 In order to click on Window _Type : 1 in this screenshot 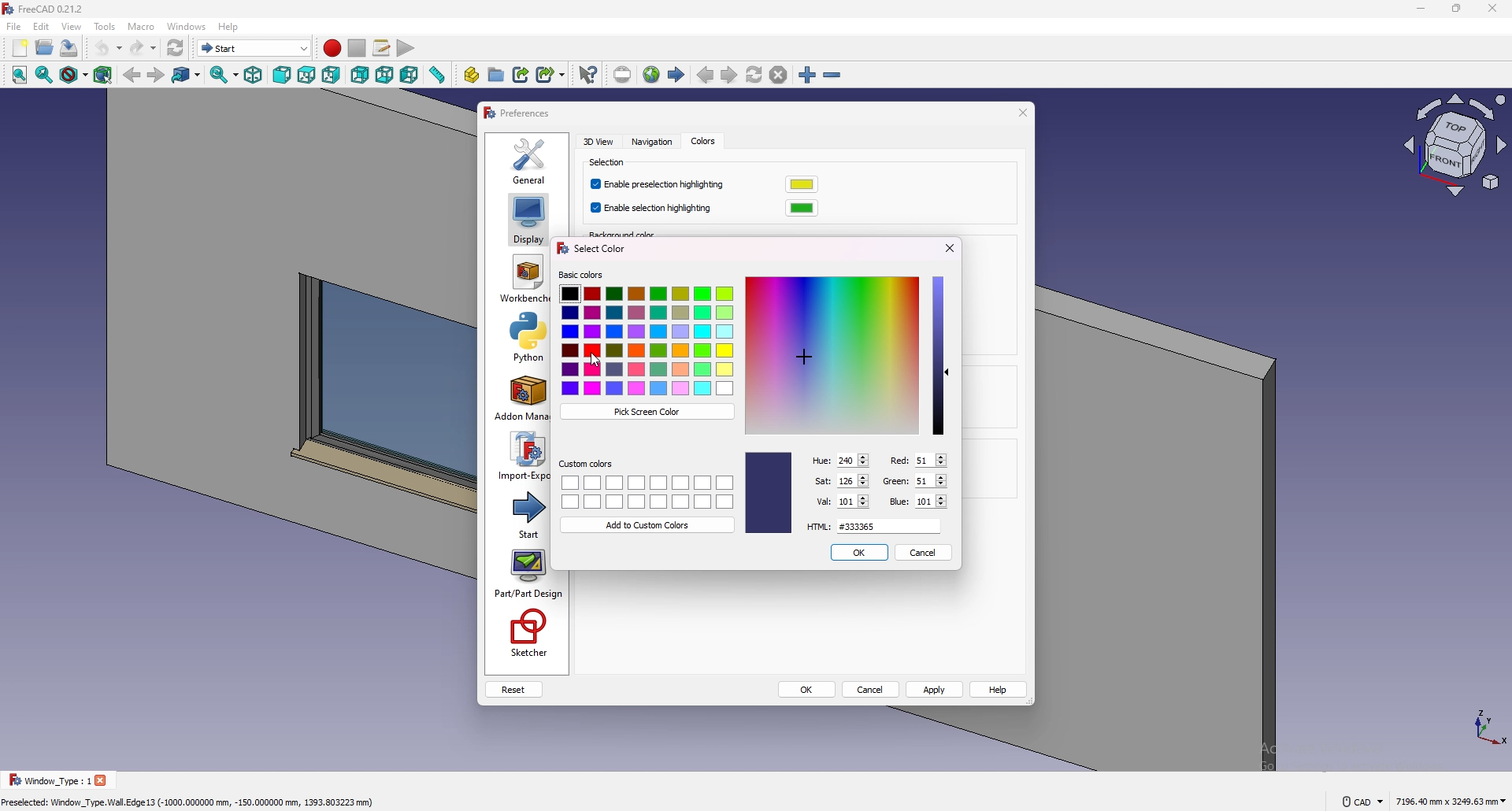, I will do `click(47, 780)`.